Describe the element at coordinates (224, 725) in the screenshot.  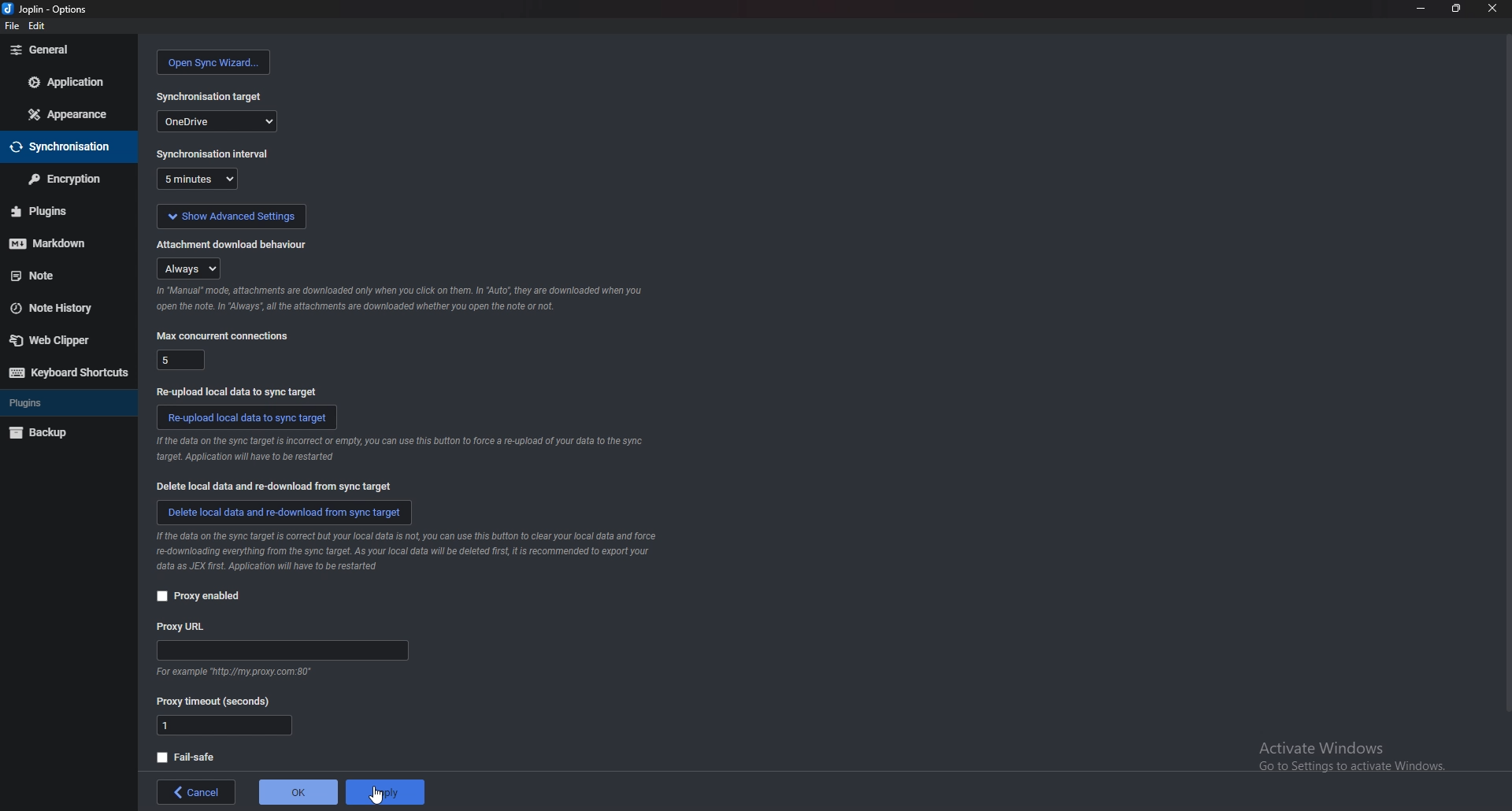
I see `proxy timeout` at that location.